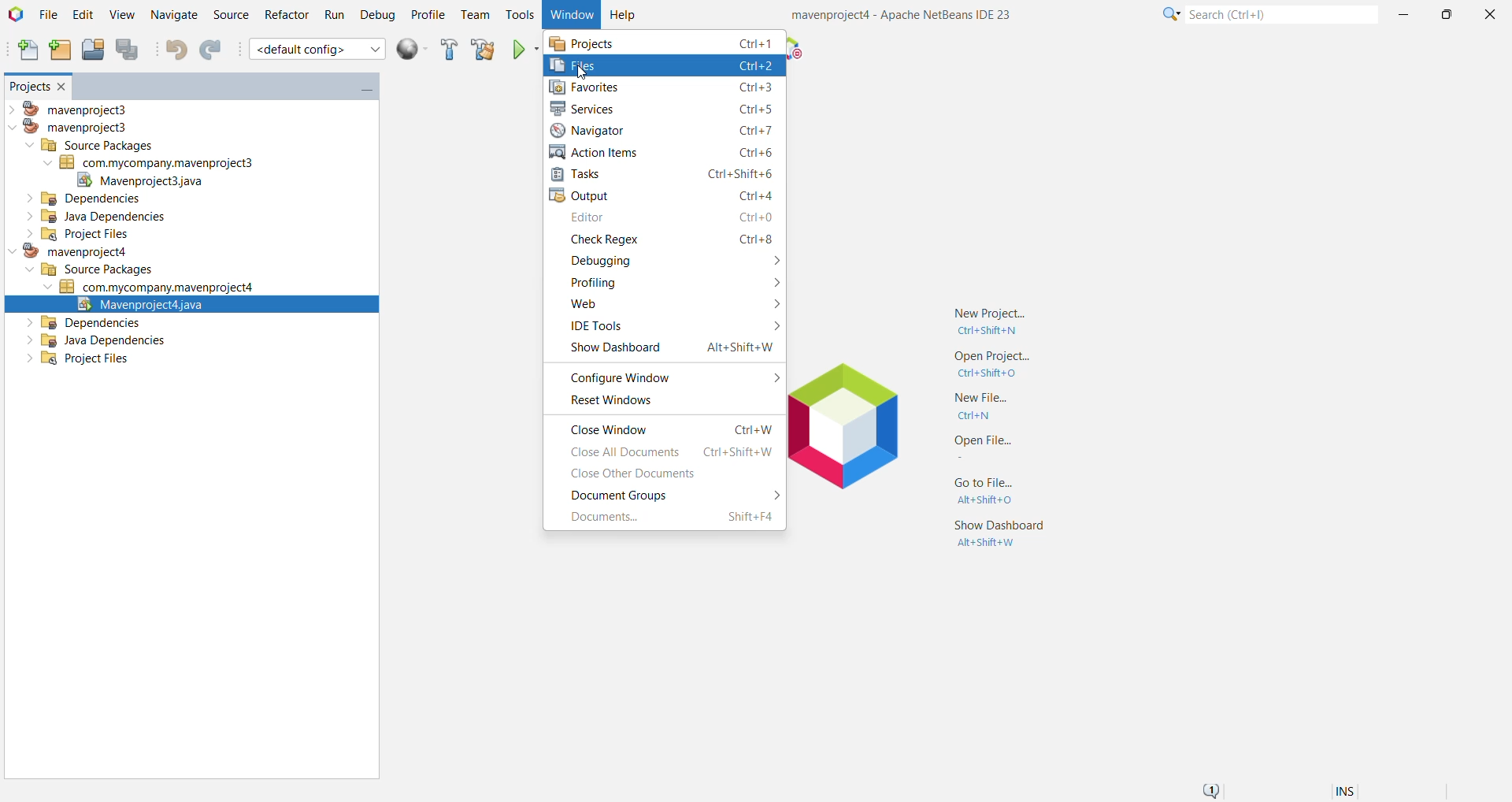  I want to click on Editor, so click(670, 219).